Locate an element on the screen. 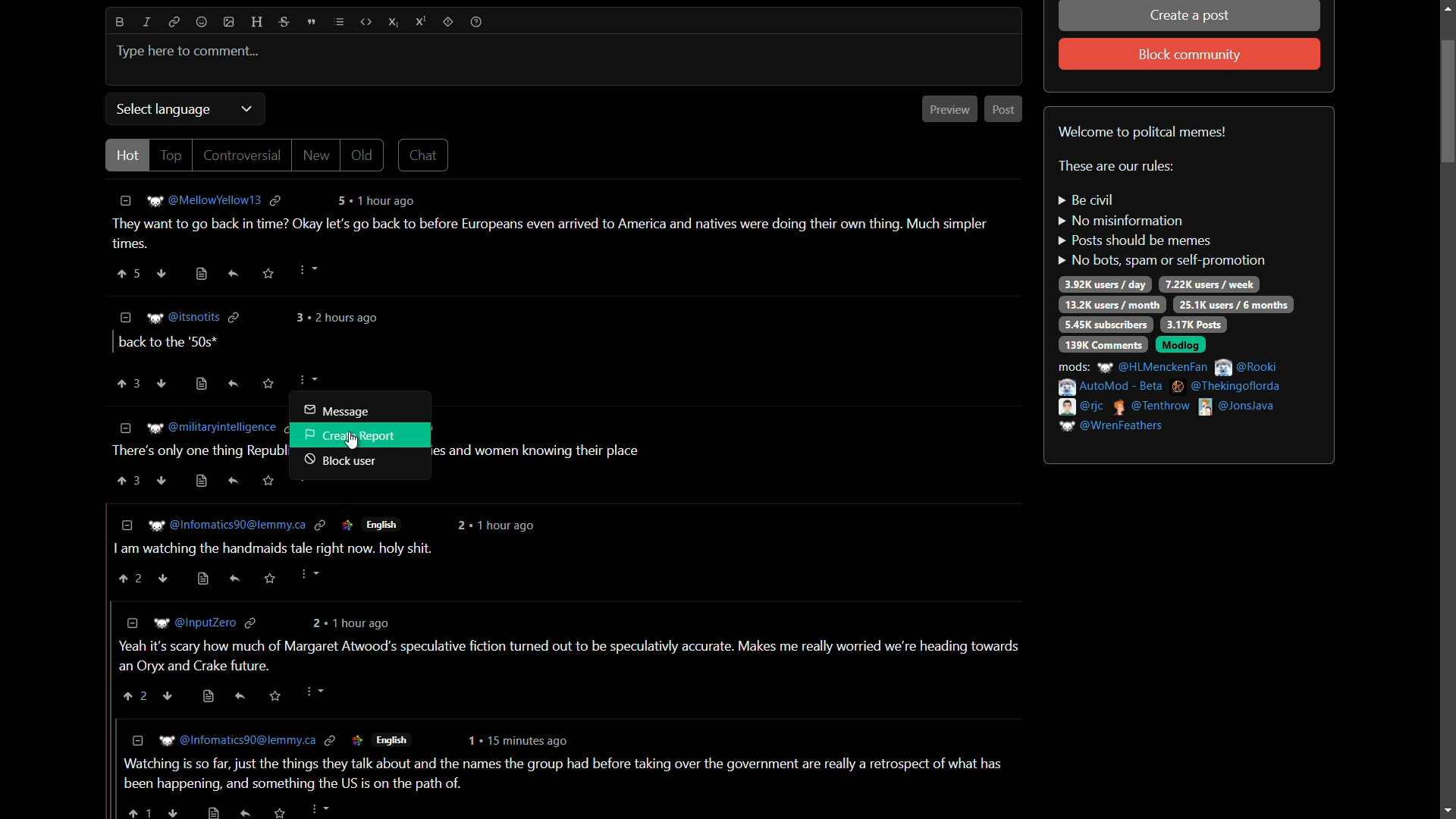 Image resolution: width=1456 pixels, height=819 pixels. block user is located at coordinates (340, 463).